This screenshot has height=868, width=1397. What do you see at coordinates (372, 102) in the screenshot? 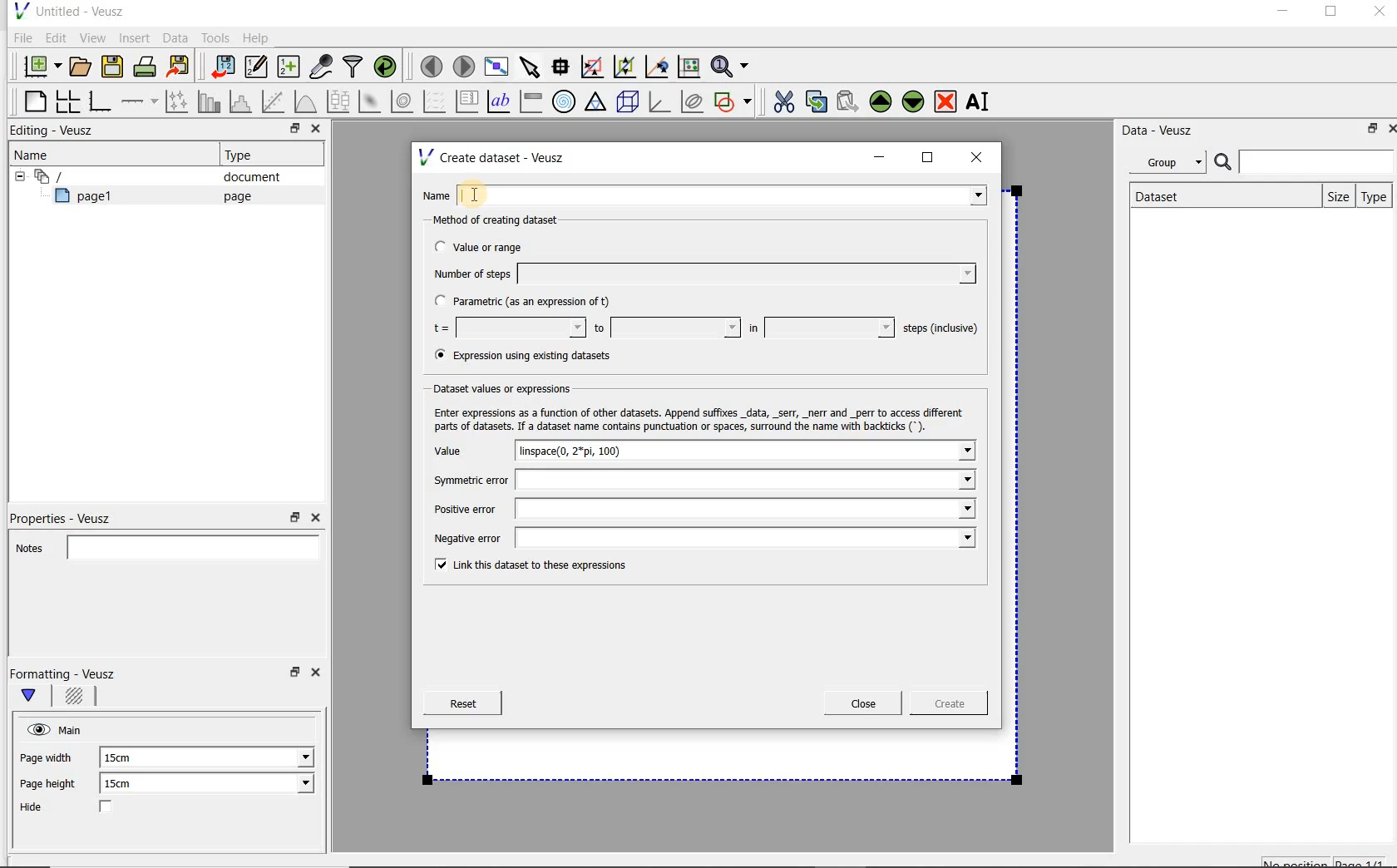
I see `plot a 2d dataset as an image` at bounding box center [372, 102].